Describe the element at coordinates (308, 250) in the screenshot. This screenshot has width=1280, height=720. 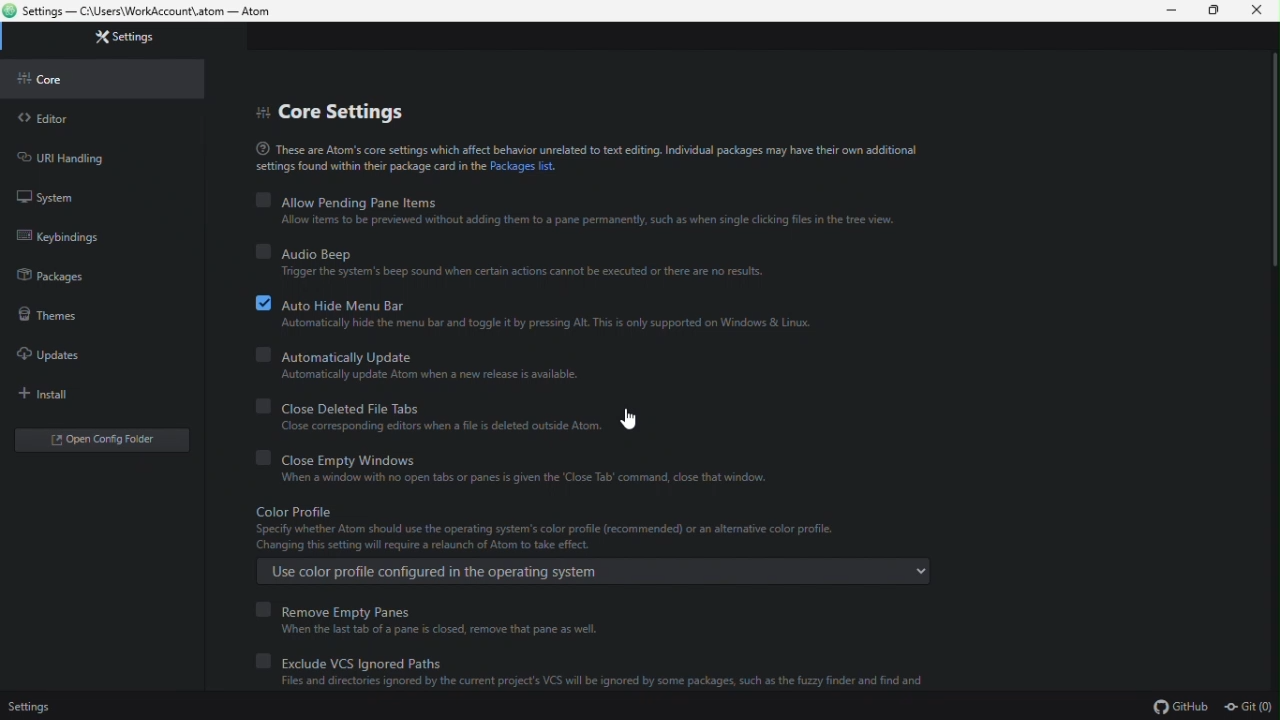
I see `Audio beep` at that location.